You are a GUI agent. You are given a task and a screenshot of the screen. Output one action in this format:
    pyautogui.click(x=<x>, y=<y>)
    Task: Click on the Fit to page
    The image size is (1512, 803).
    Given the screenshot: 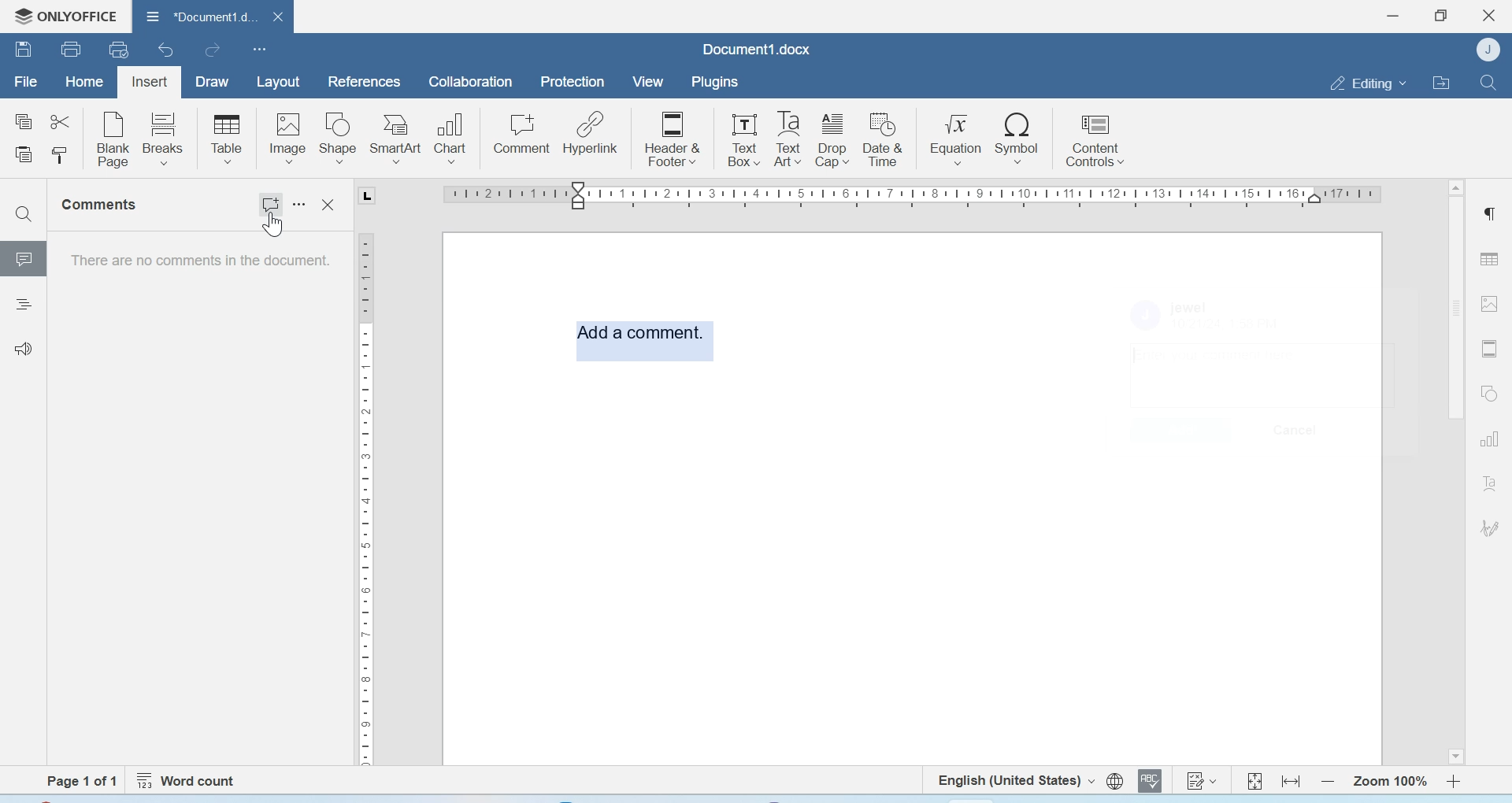 What is the action you would take?
    pyautogui.click(x=1255, y=780)
    